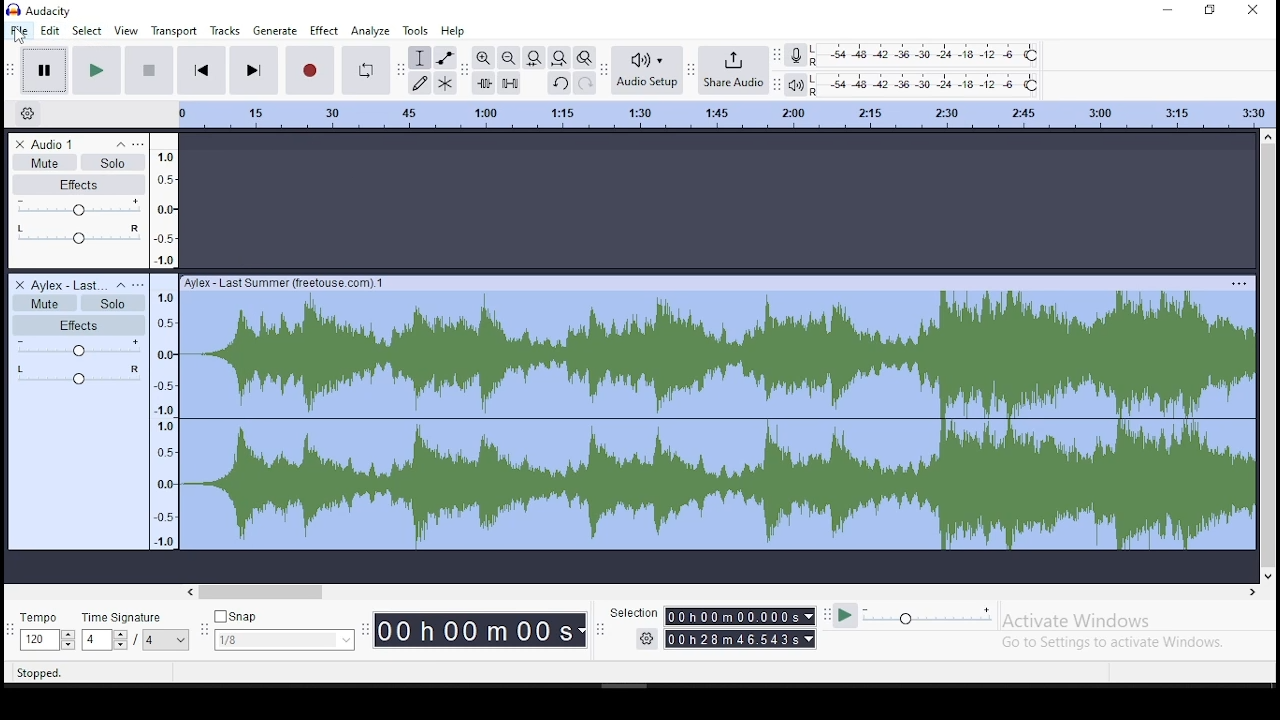 The height and width of the screenshot is (720, 1280). What do you see at coordinates (452, 31) in the screenshot?
I see `help` at bounding box center [452, 31].